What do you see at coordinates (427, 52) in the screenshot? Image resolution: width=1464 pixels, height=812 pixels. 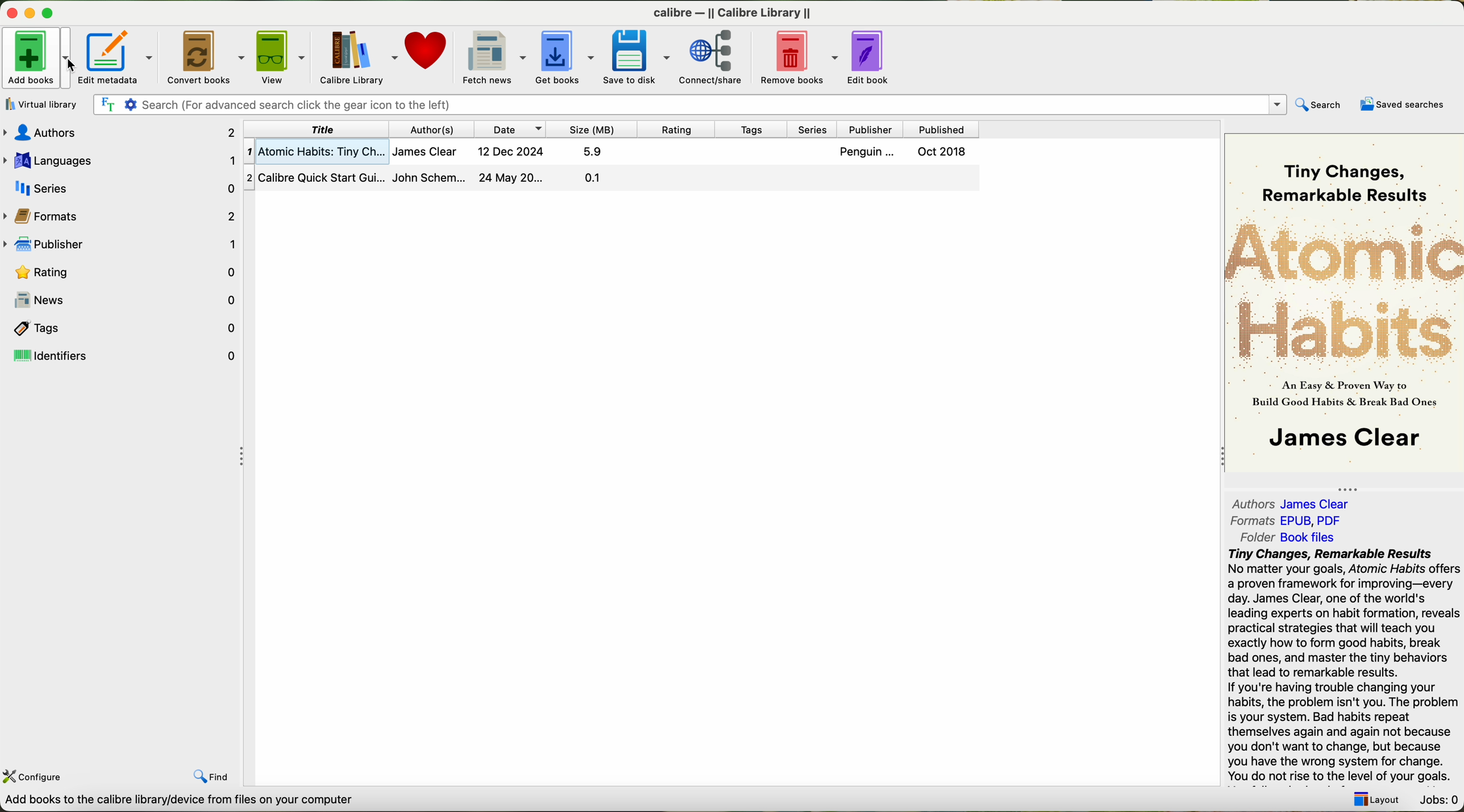 I see `donate` at bounding box center [427, 52].